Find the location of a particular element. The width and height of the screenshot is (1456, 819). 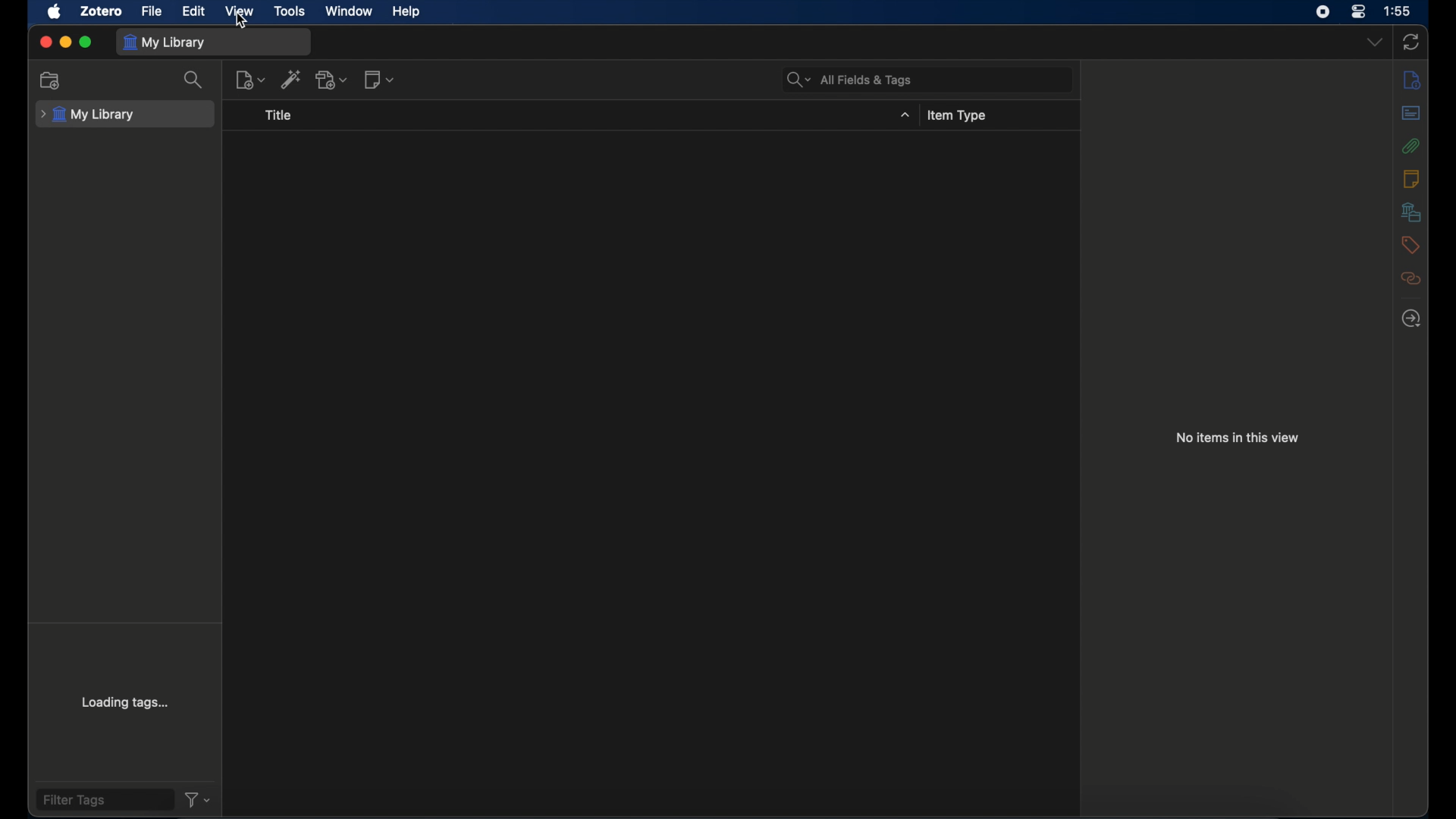

edit is located at coordinates (193, 11).